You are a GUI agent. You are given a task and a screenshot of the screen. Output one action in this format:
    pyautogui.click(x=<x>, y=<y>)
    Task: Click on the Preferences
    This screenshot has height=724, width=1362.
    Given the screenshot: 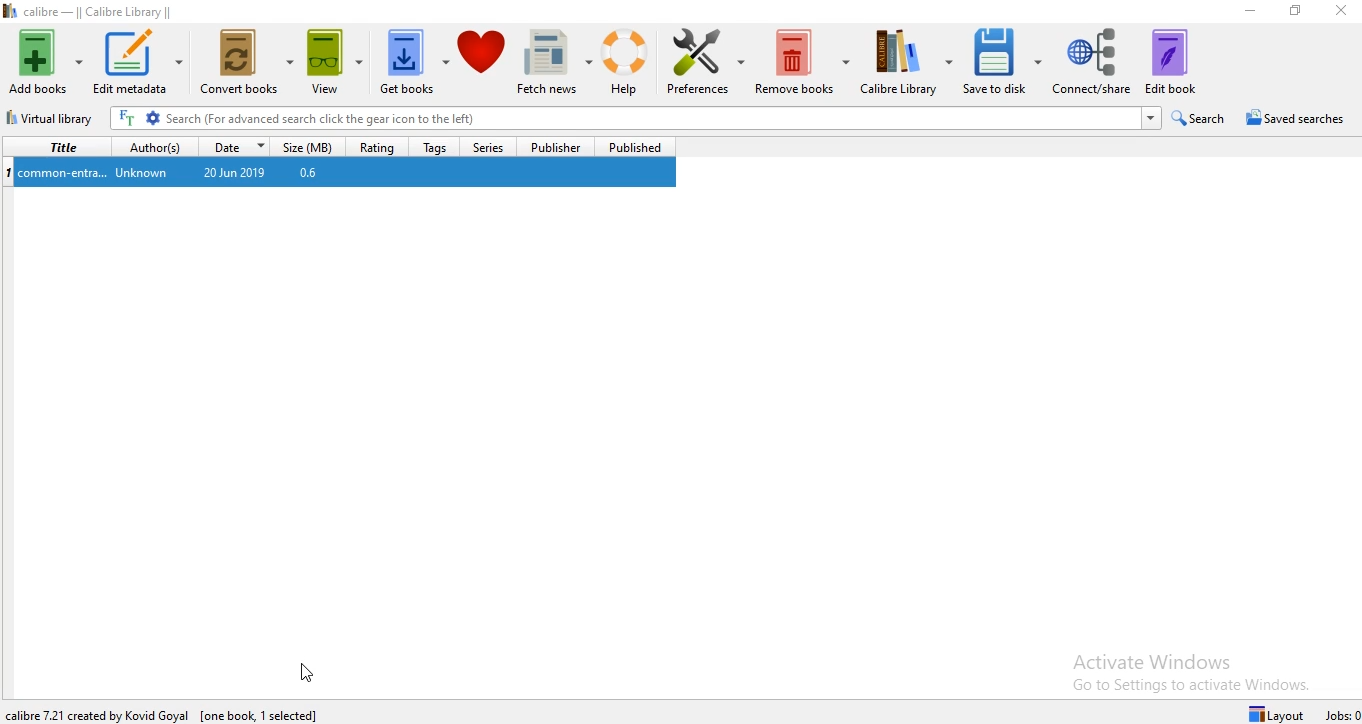 What is the action you would take?
    pyautogui.click(x=706, y=64)
    